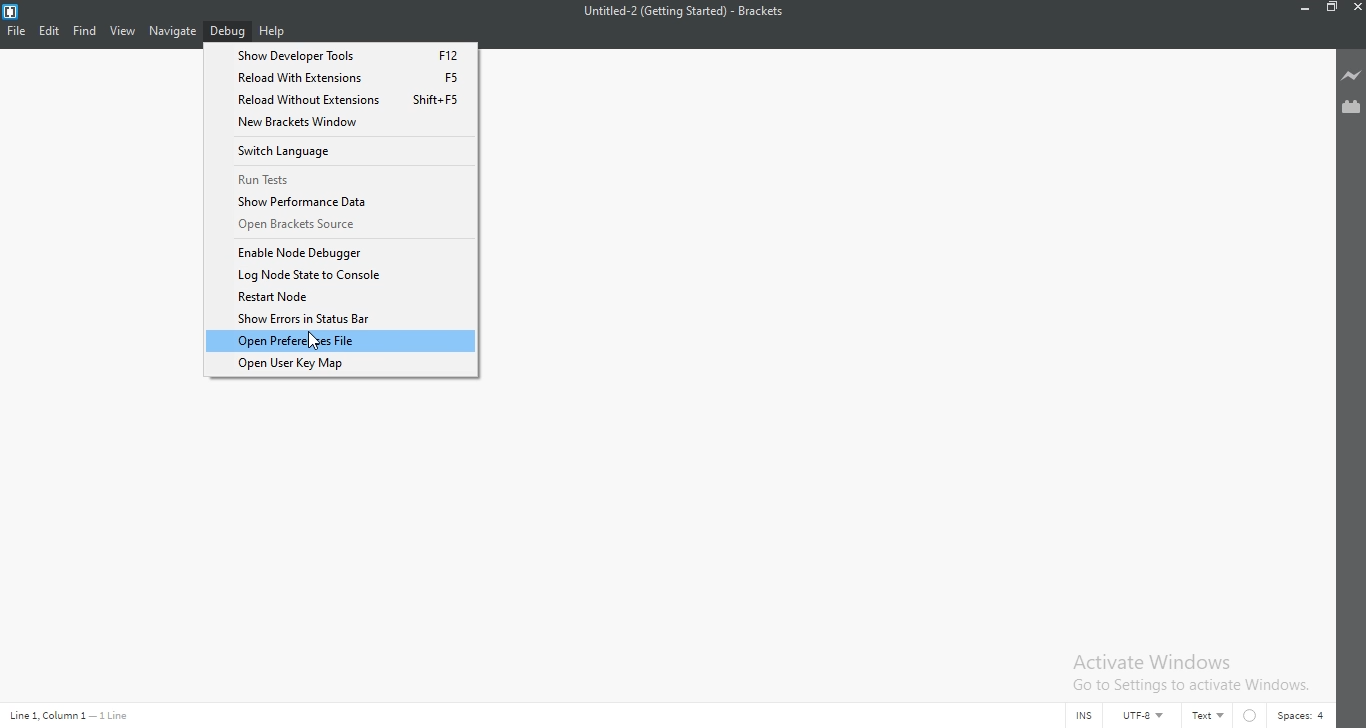  Describe the element at coordinates (73, 714) in the screenshot. I see `Line 1, Column 1 - 1 Line` at that location.